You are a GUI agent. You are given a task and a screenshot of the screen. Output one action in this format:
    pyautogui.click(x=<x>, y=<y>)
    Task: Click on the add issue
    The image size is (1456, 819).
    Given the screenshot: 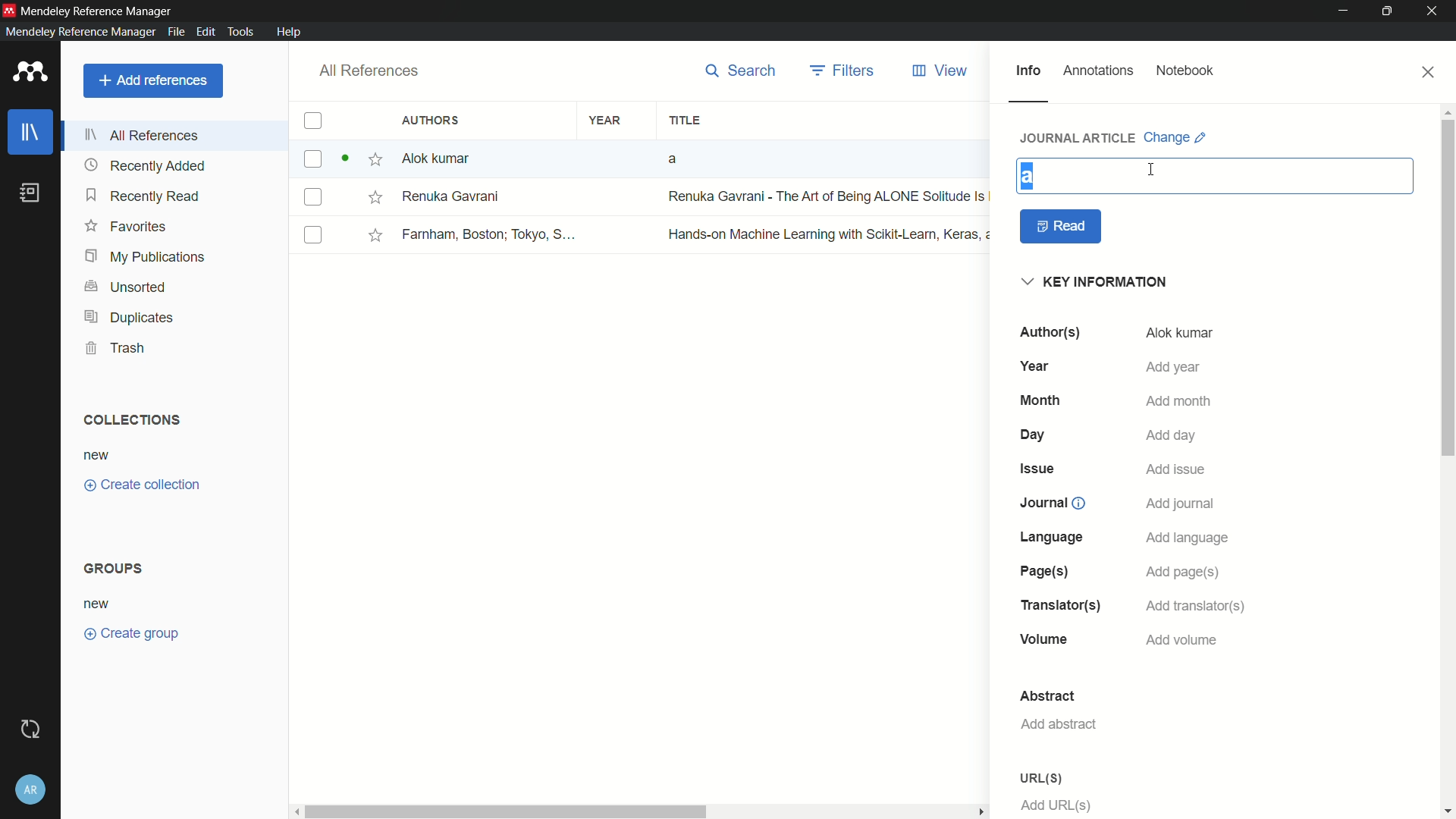 What is the action you would take?
    pyautogui.click(x=1176, y=471)
    